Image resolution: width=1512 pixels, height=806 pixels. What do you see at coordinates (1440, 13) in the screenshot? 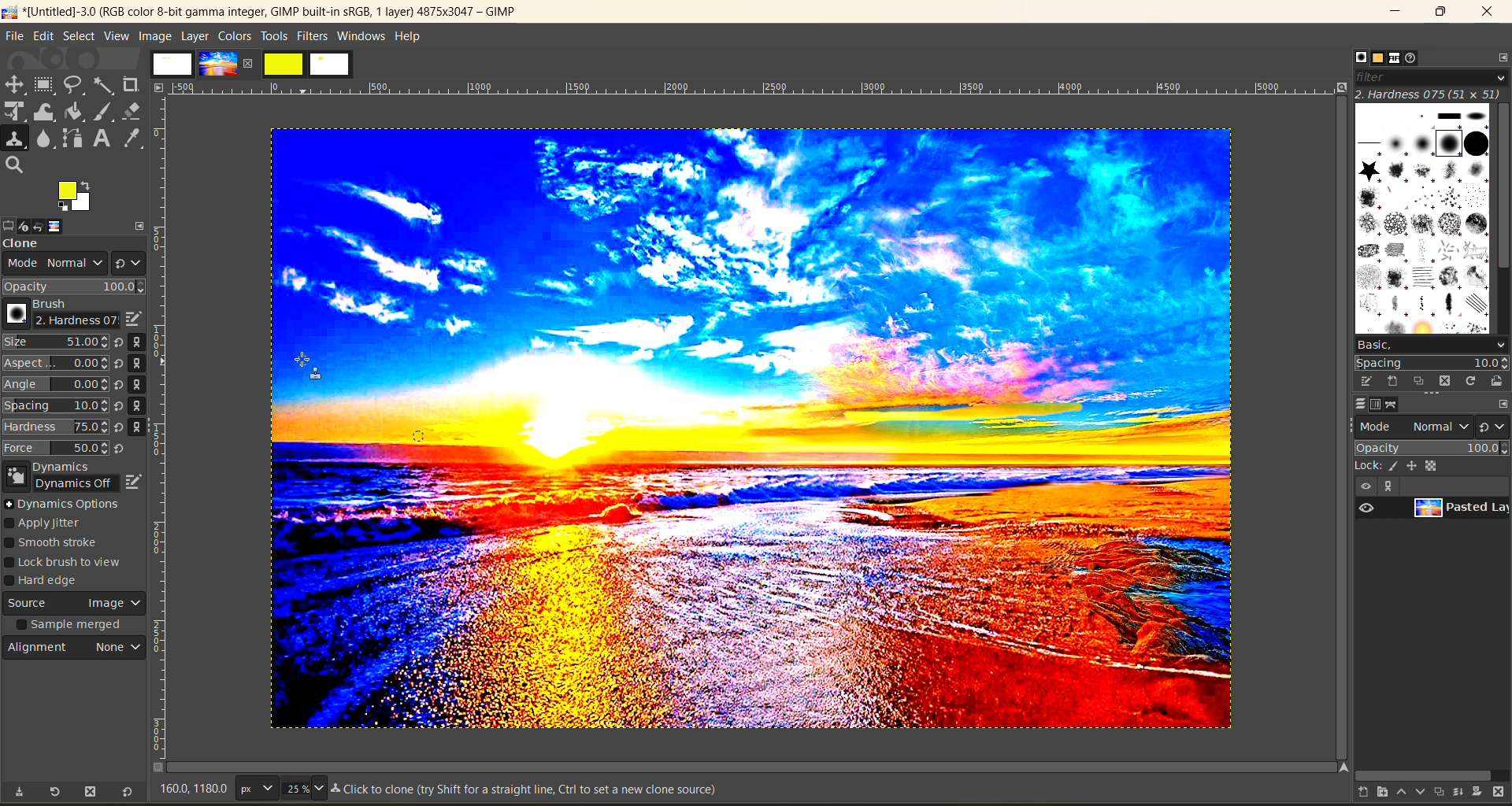
I see `maximize` at bounding box center [1440, 13].